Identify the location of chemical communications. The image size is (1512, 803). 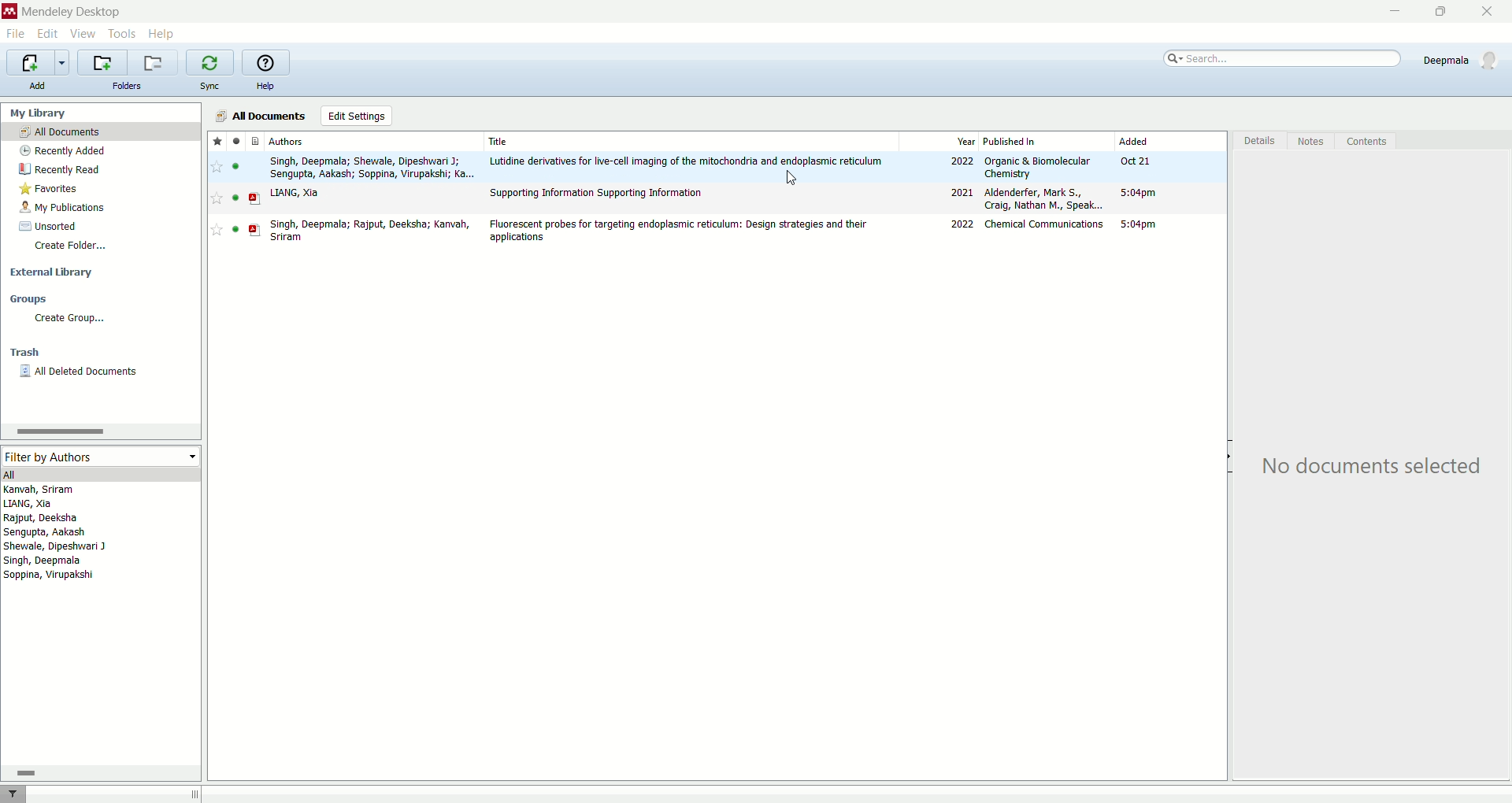
(1046, 224).